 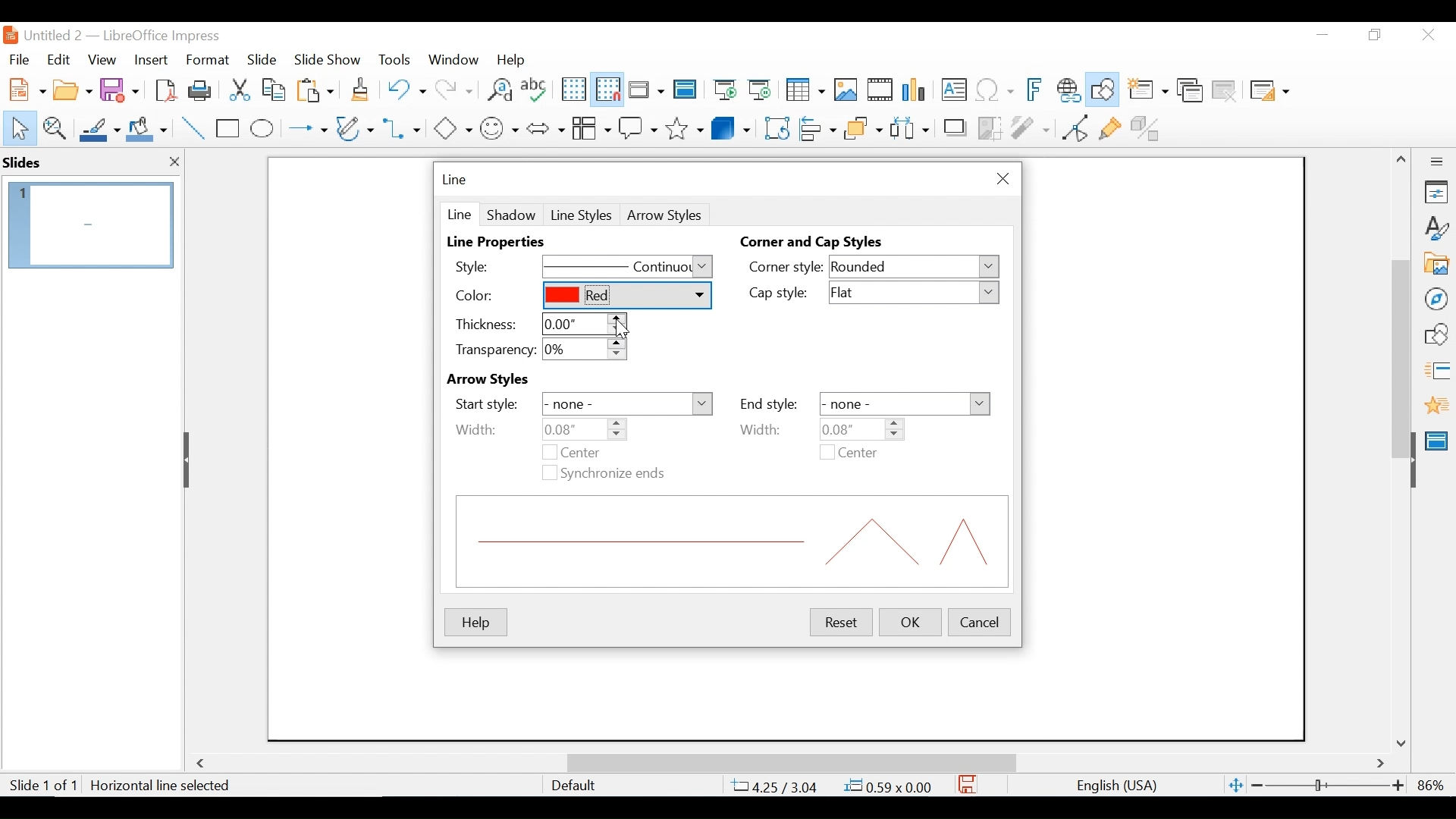 What do you see at coordinates (262, 58) in the screenshot?
I see `Slide` at bounding box center [262, 58].